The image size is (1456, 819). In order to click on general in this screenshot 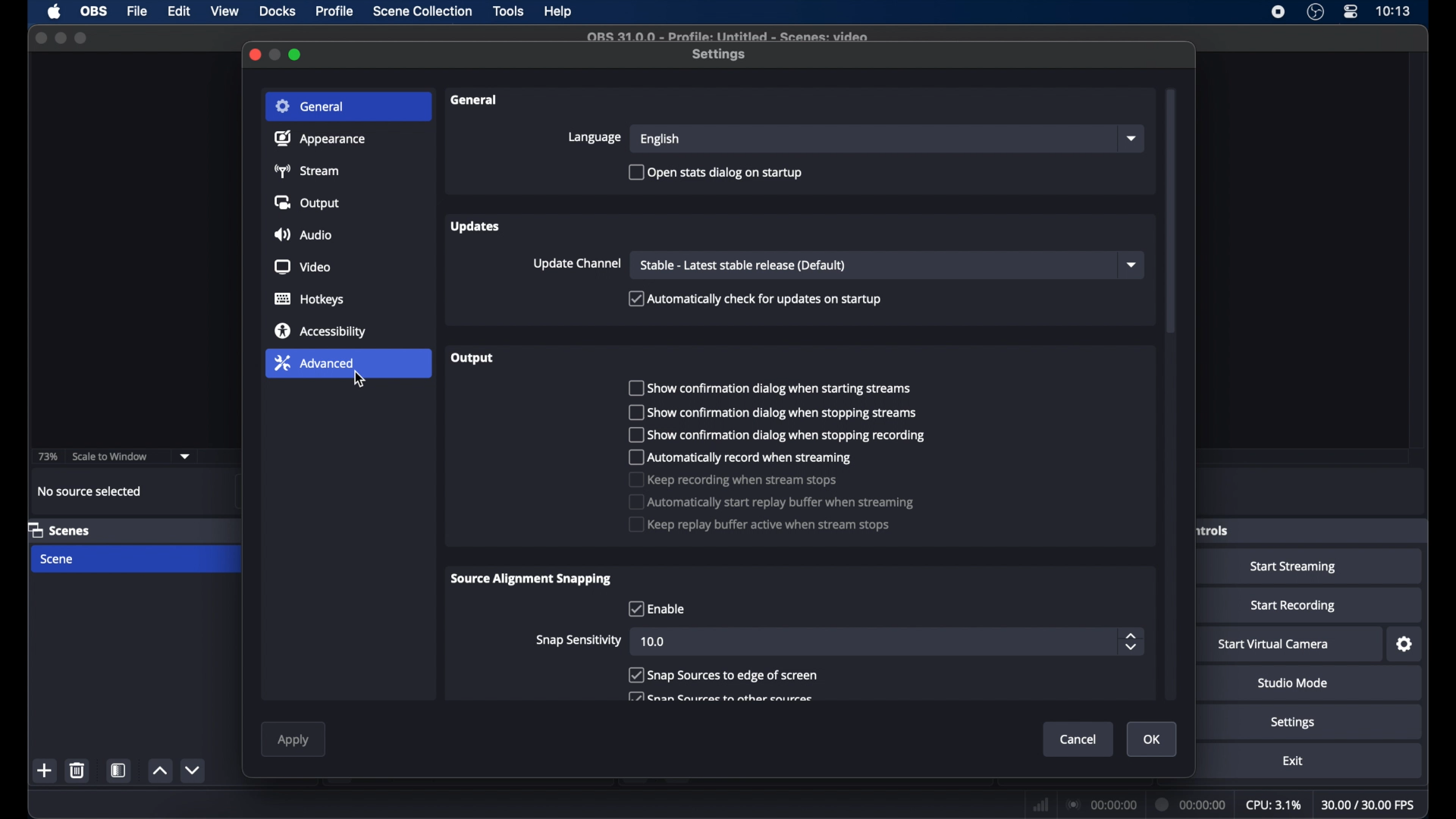, I will do `click(474, 100)`.